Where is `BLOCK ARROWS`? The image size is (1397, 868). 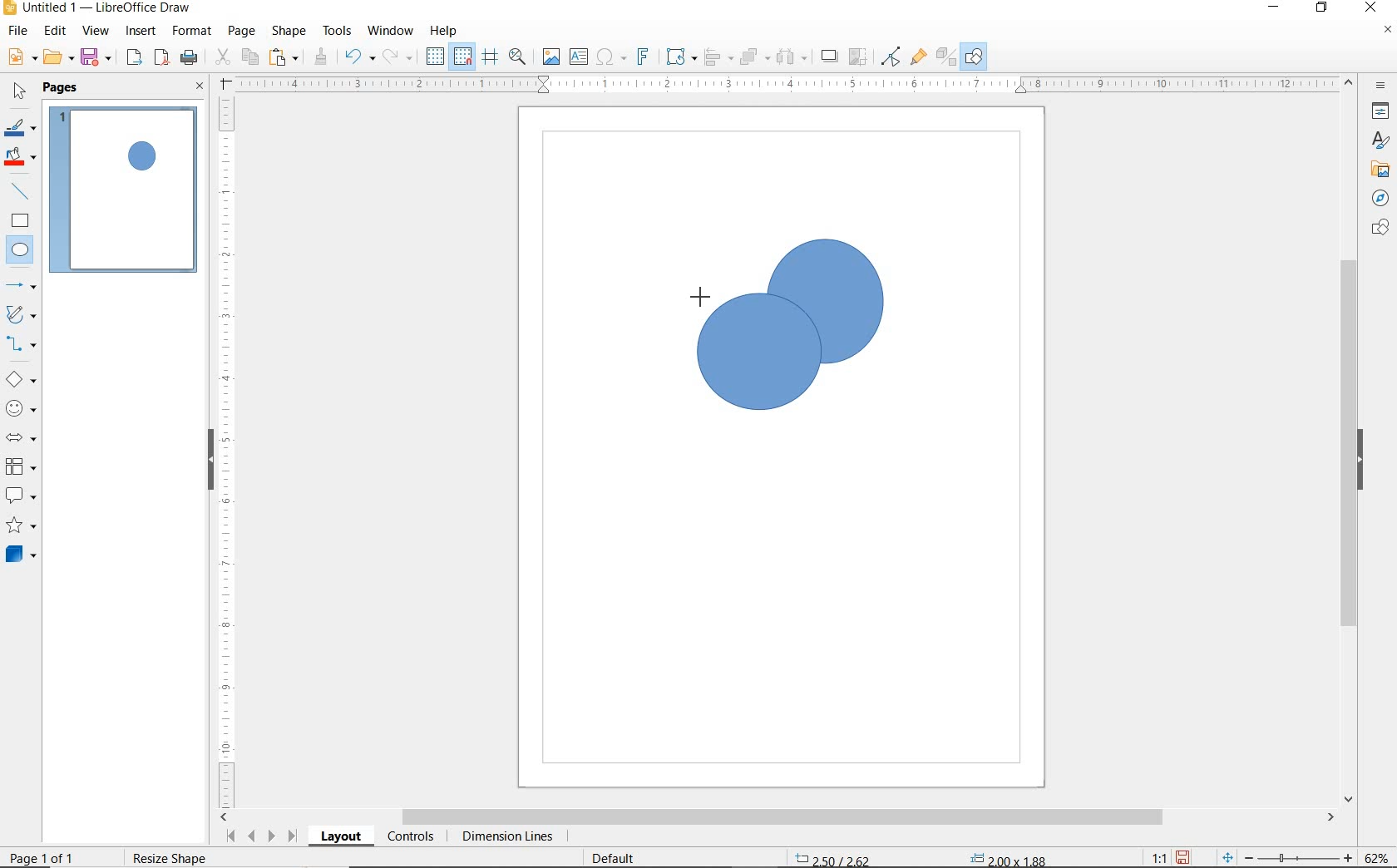
BLOCK ARROWS is located at coordinates (20, 435).